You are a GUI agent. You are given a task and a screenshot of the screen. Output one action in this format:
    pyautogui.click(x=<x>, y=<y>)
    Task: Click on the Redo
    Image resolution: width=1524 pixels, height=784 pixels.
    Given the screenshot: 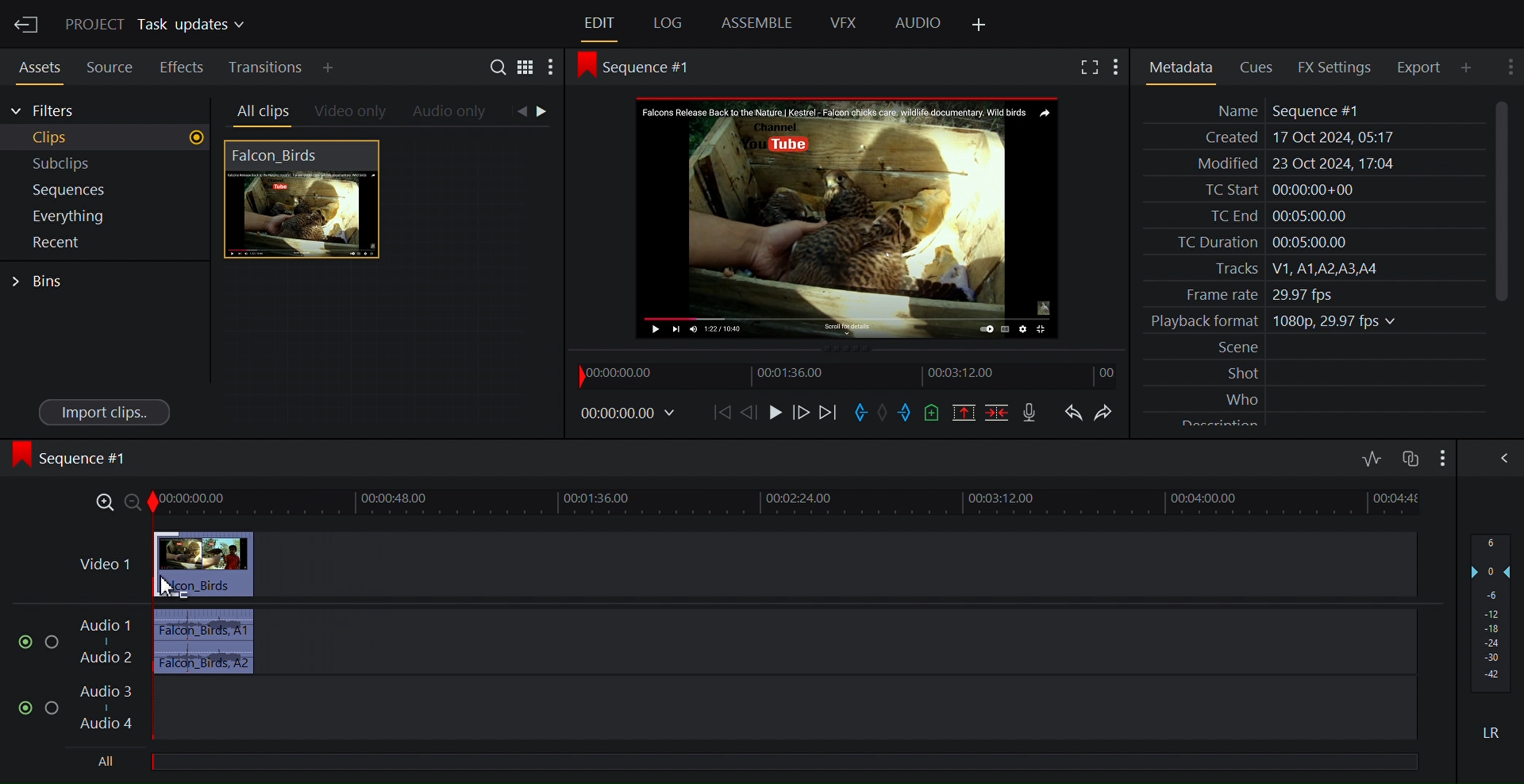 What is the action you would take?
    pyautogui.click(x=1109, y=413)
    